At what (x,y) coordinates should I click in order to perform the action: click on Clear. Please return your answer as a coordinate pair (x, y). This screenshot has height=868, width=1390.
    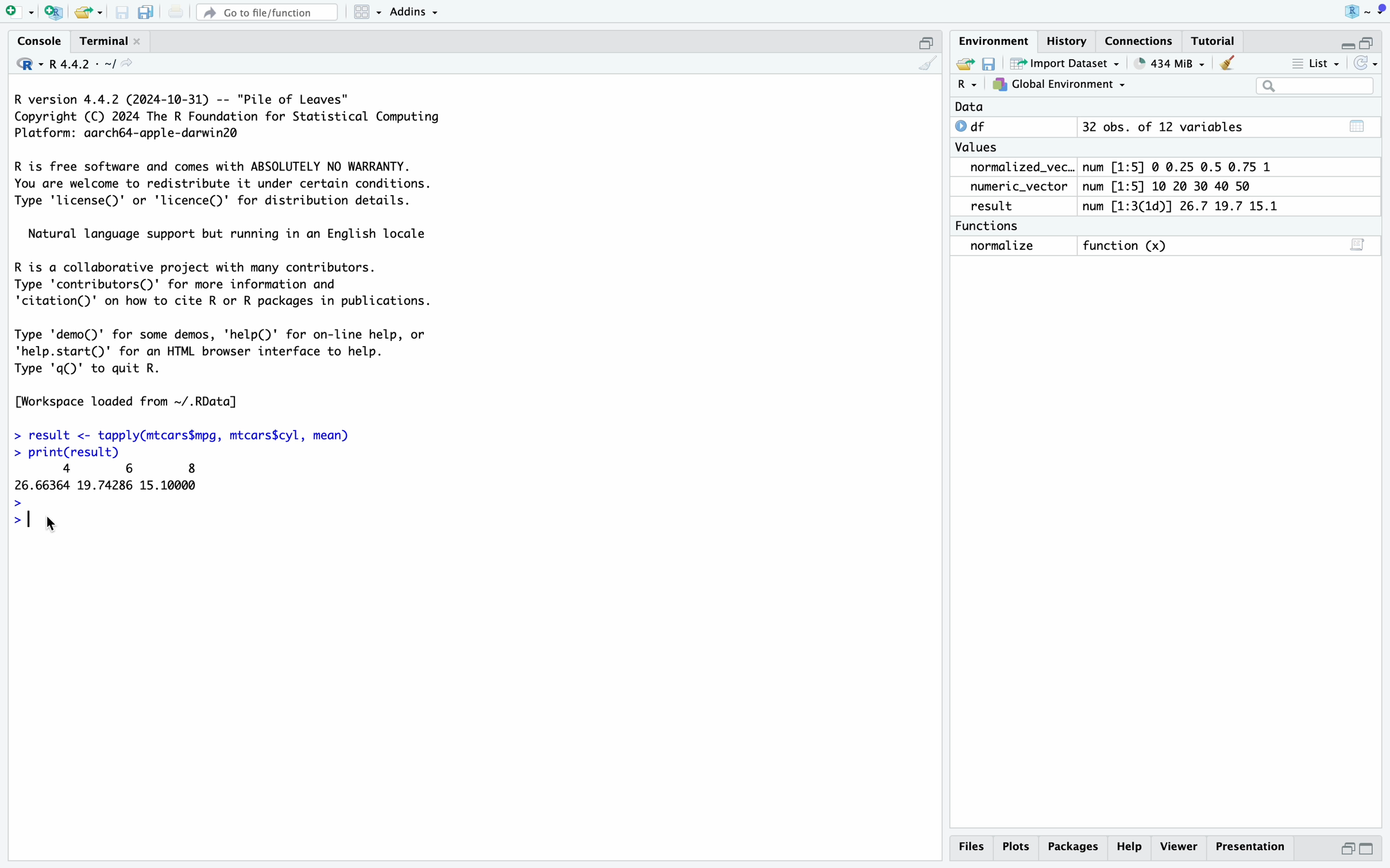
    Looking at the image, I should click on (929, 64).